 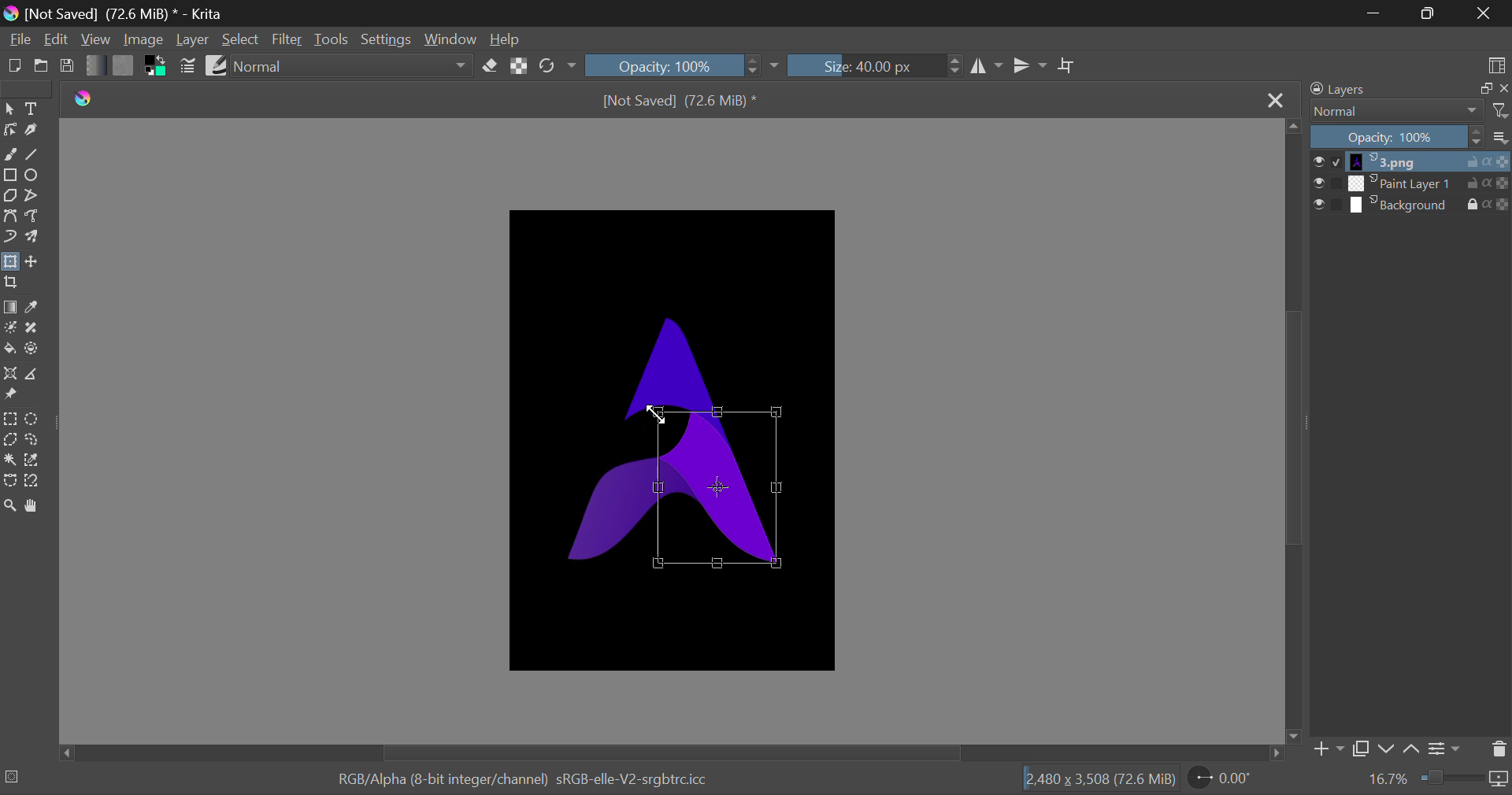 I want to click on layer 2, so click(x=1402, y=183).